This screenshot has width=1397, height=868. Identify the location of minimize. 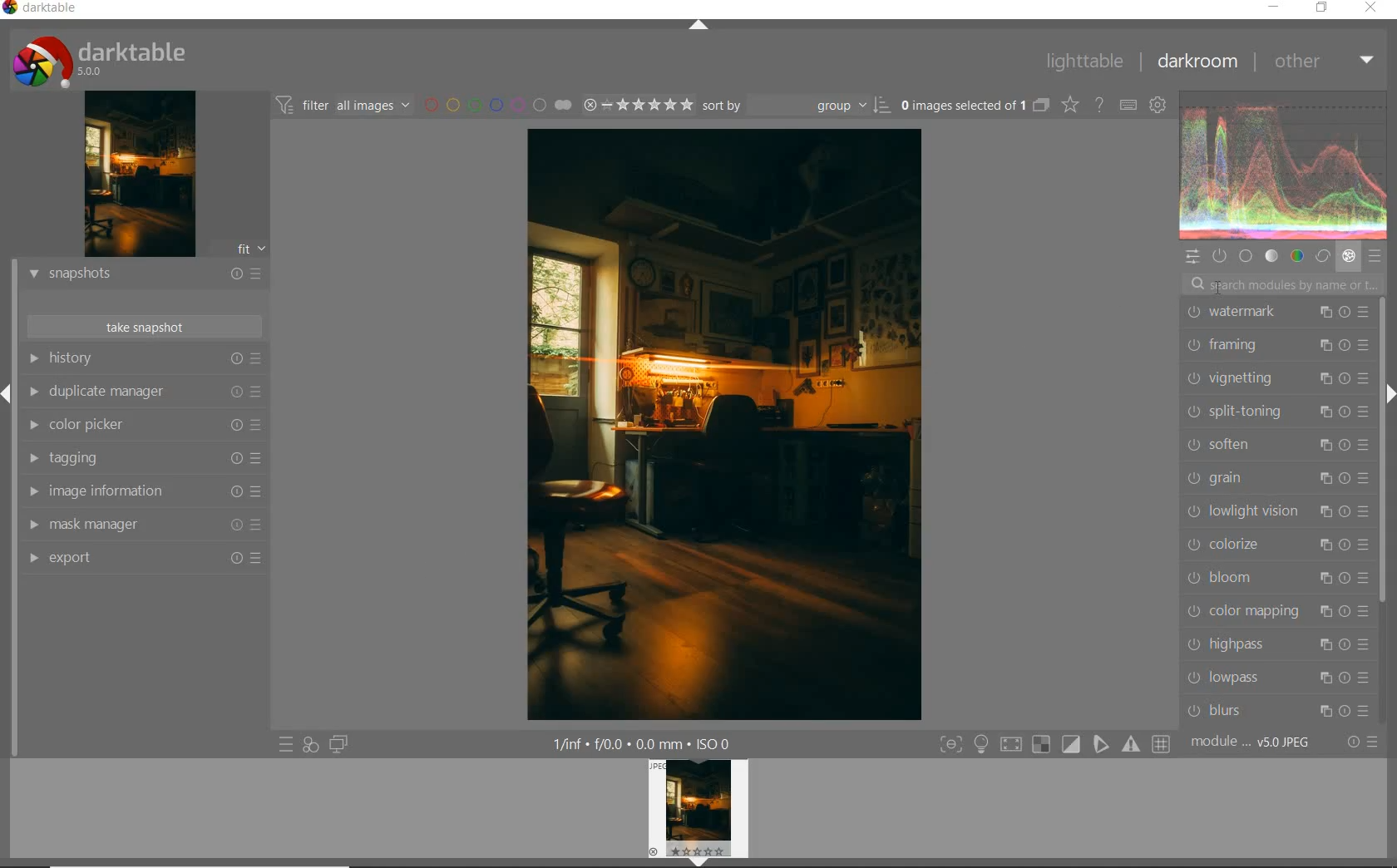
(1274, 7).